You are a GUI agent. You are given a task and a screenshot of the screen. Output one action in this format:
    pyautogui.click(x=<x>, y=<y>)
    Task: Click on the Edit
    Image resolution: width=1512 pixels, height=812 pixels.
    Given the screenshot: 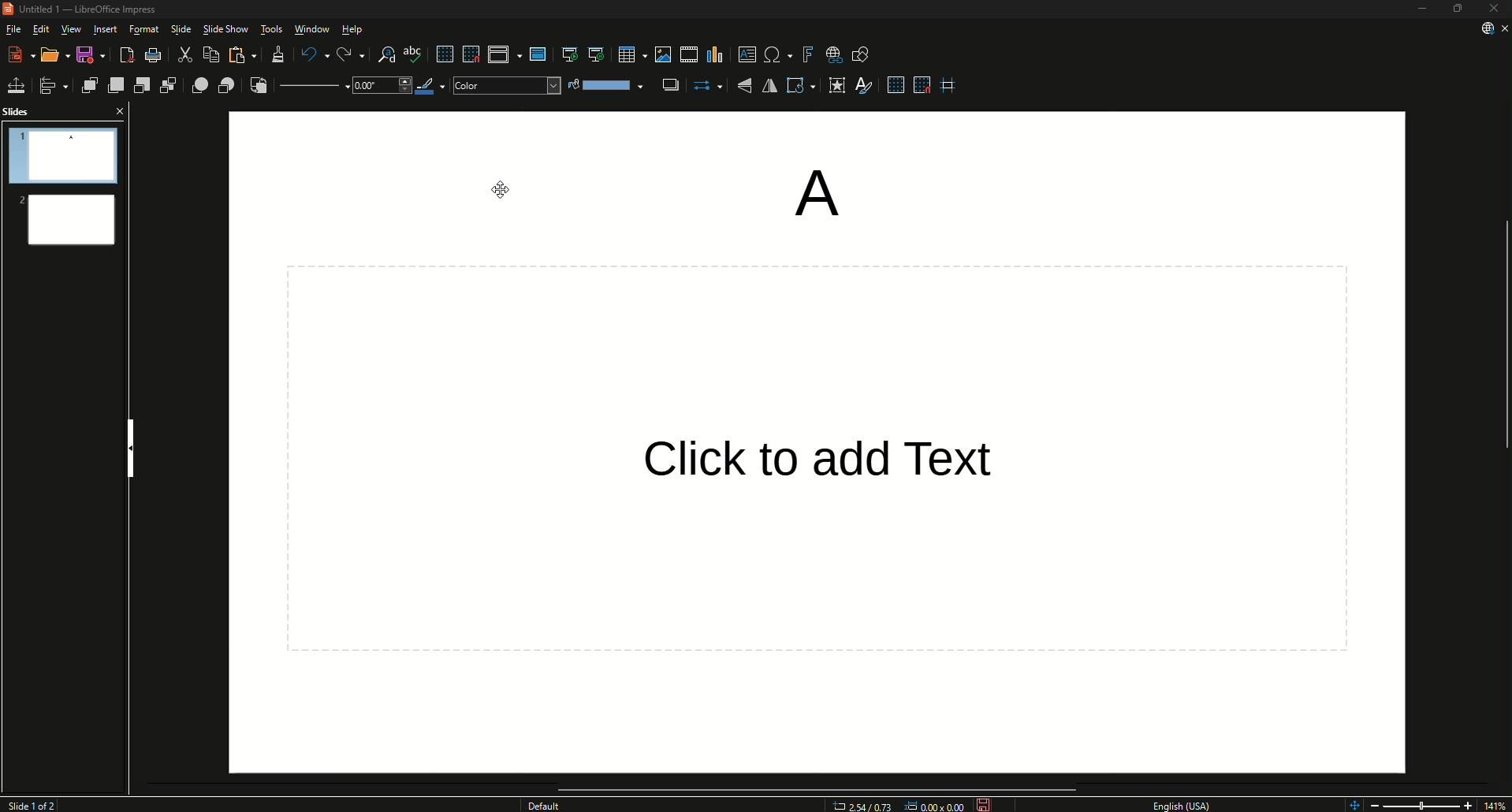 What is the action you would take?
    pyautogui.click(x=41, y=29)
    